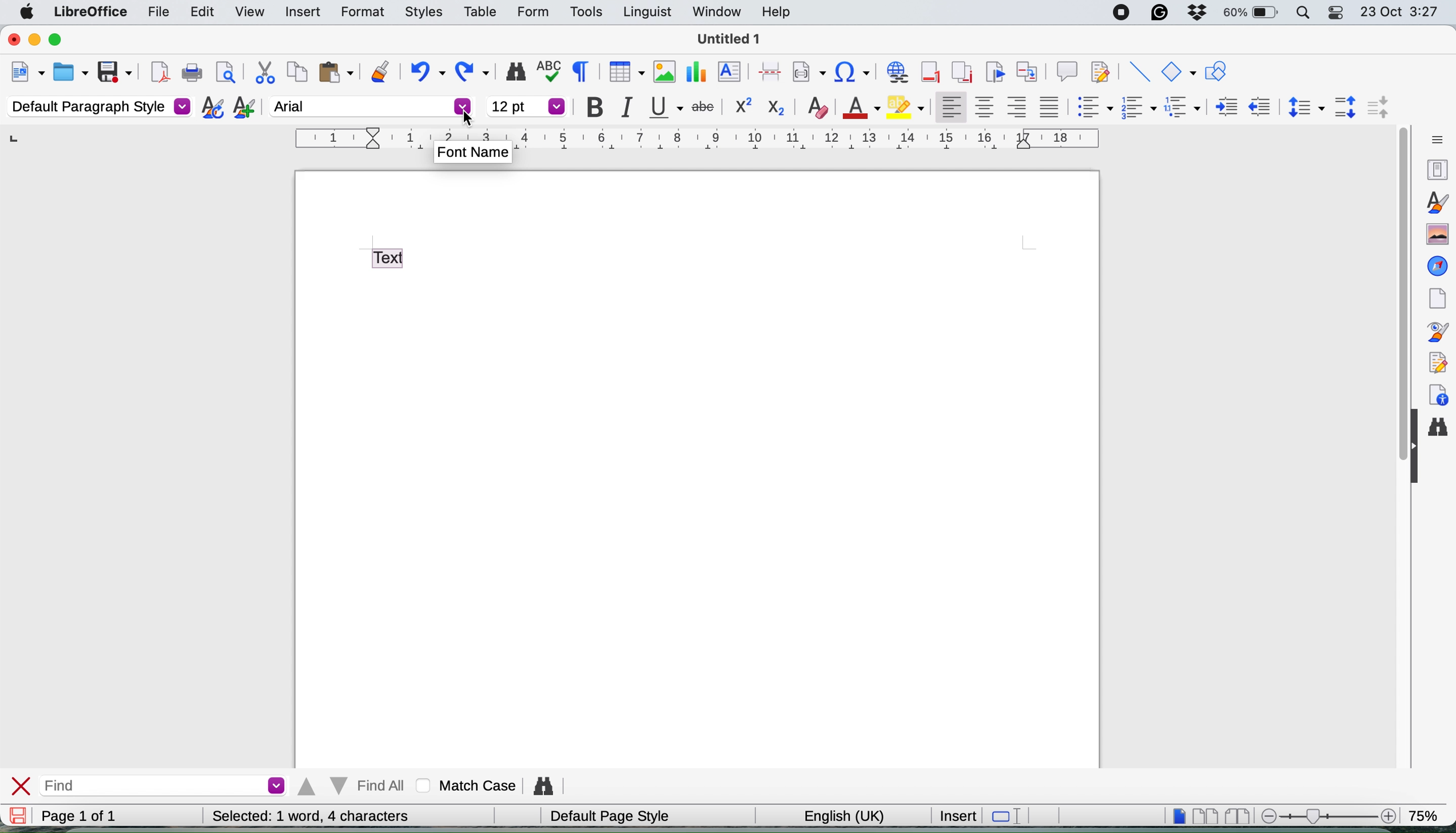 The width and height of the screenshot is (1456, 833). I want to click on export as pdf, so click(156, 73).